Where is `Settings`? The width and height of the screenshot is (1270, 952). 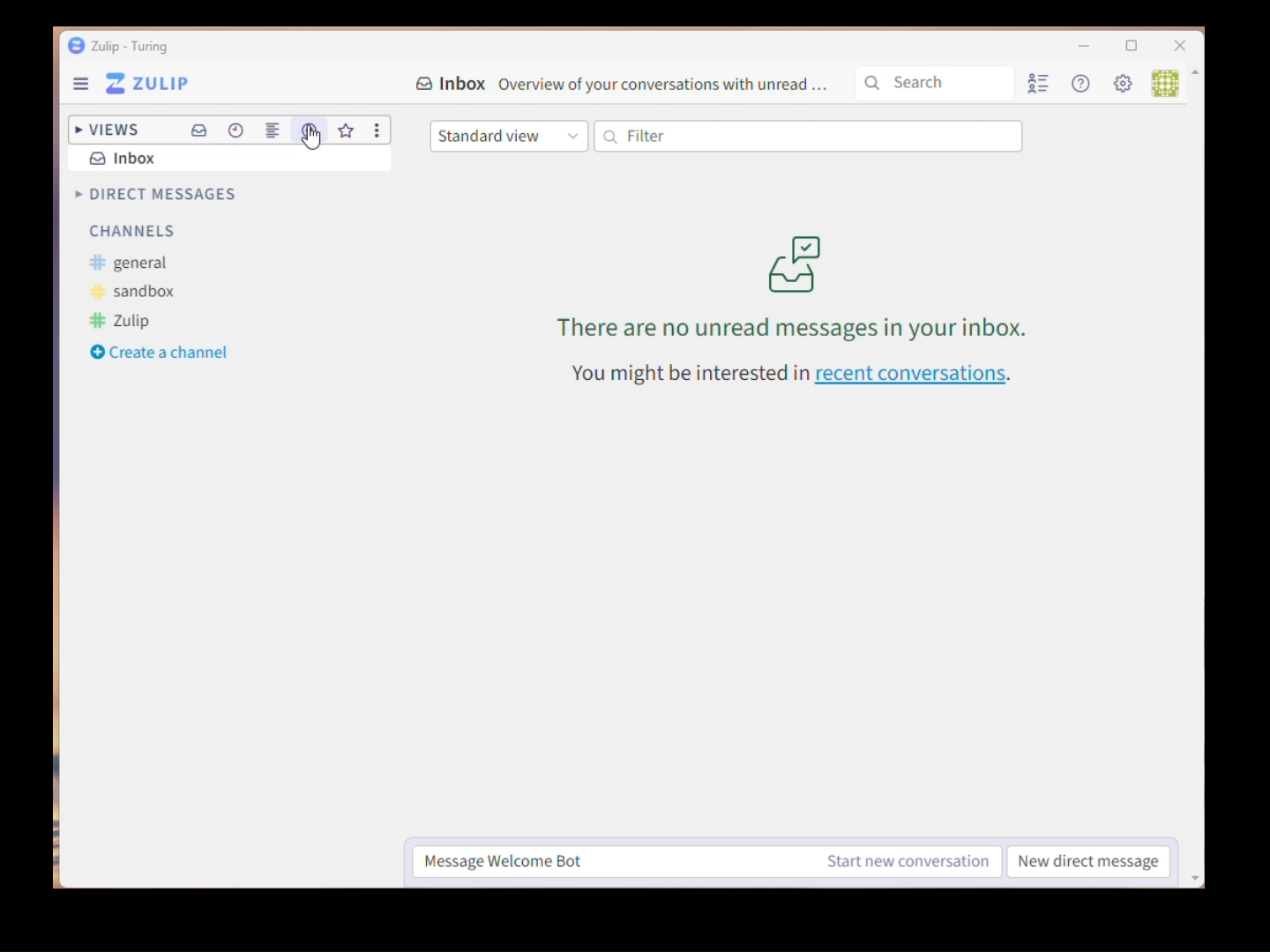 Settings is located at coordinates (1125, 86).